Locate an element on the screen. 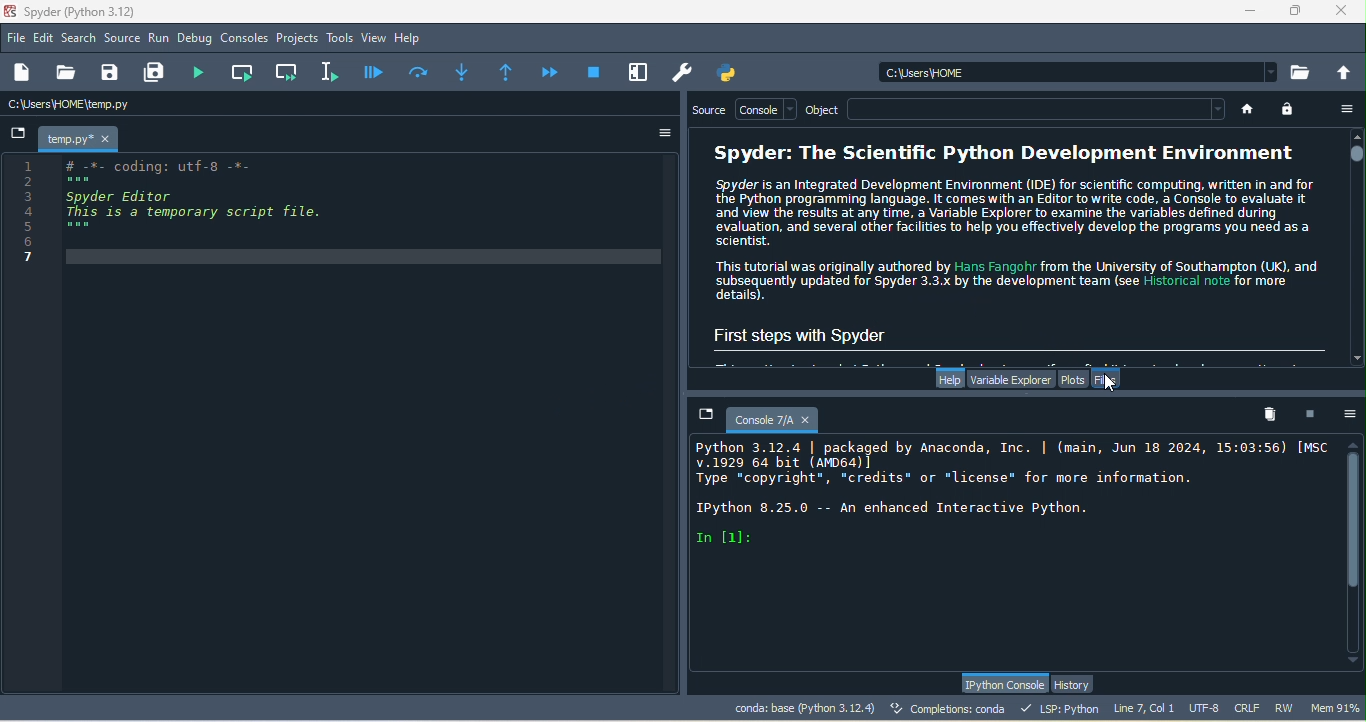  vertical scroll bar is located at coordinates (1355, 553).